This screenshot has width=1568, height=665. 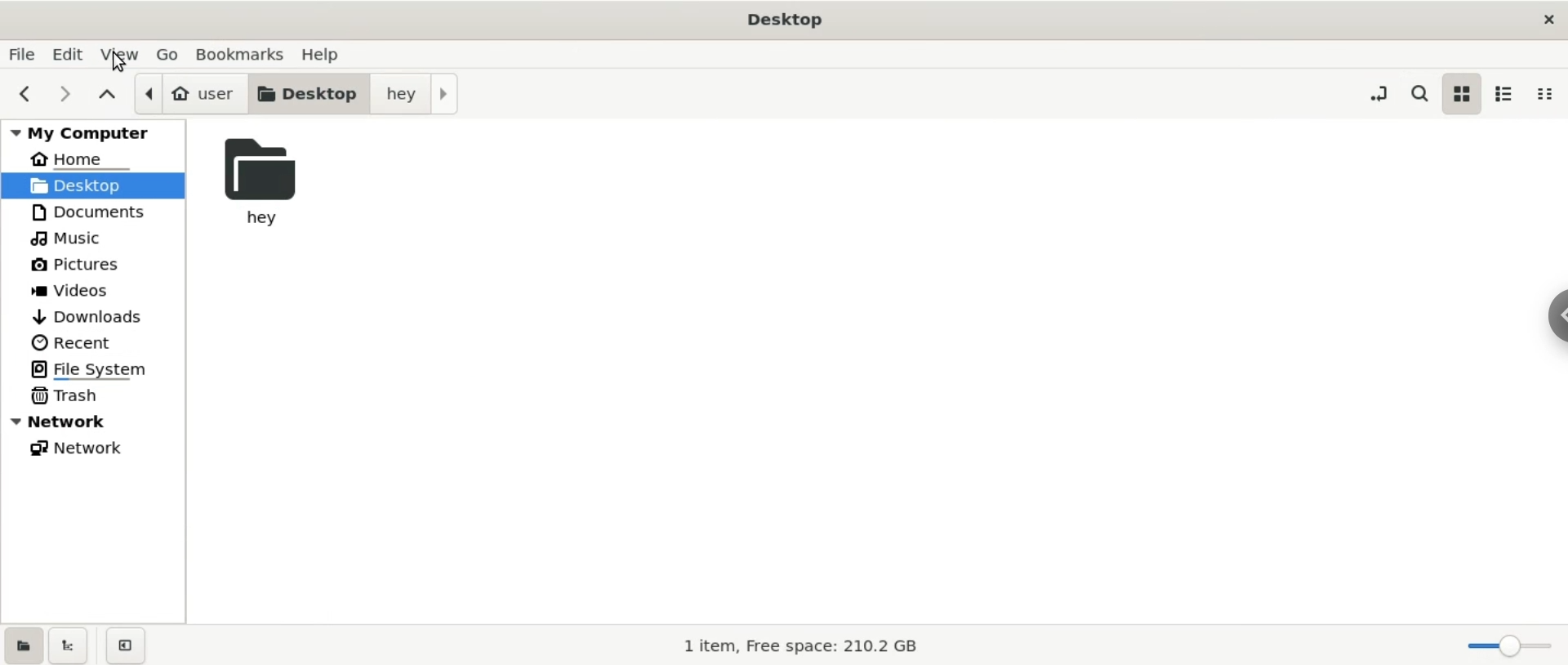 What do you see at coordinates (100, 263) in the screenshot?
I see `pictures` at bounding box center [100, 263].